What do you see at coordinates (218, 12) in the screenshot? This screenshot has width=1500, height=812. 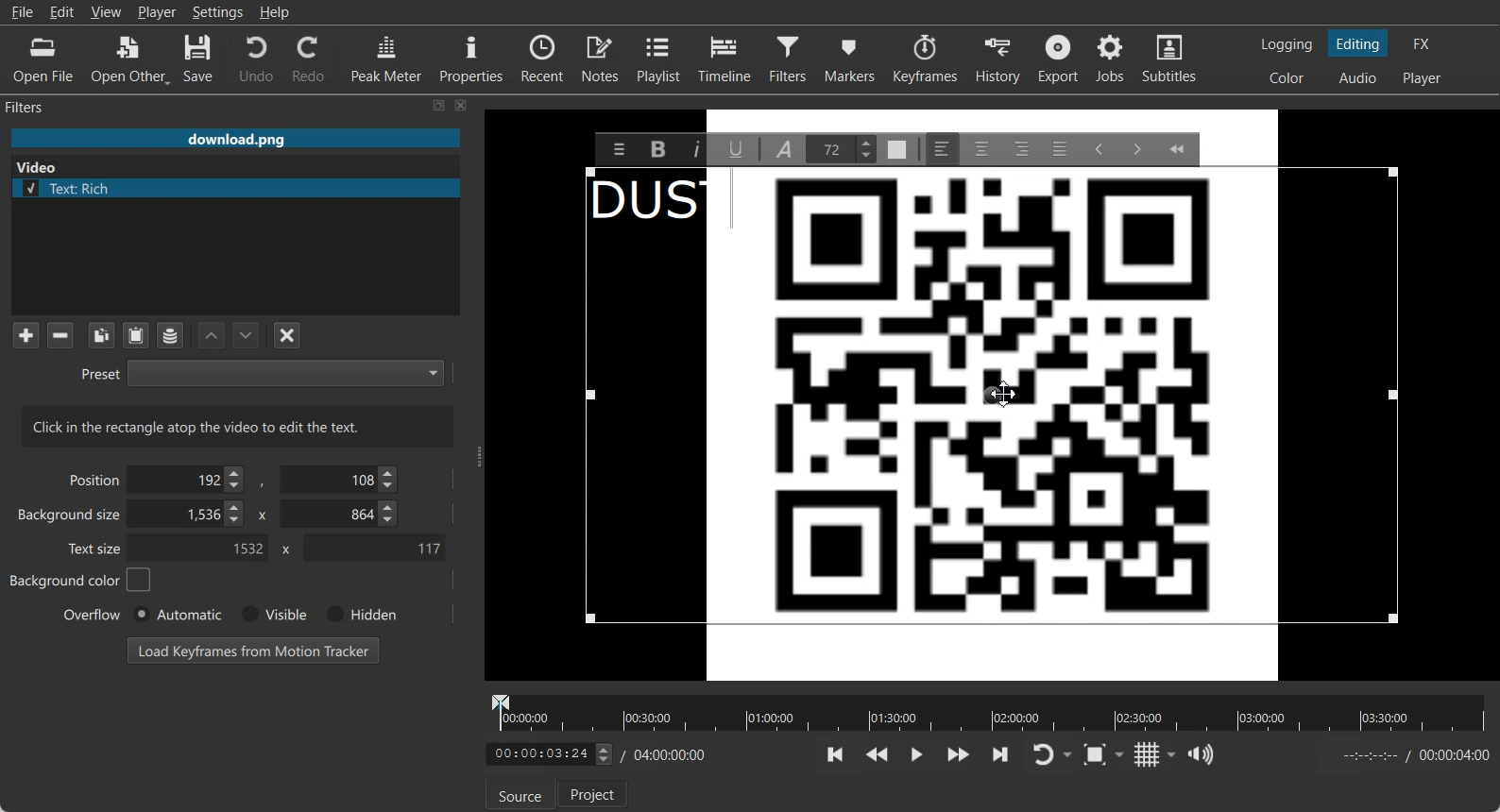 I see `Settings` at bounding box center [218, 12].